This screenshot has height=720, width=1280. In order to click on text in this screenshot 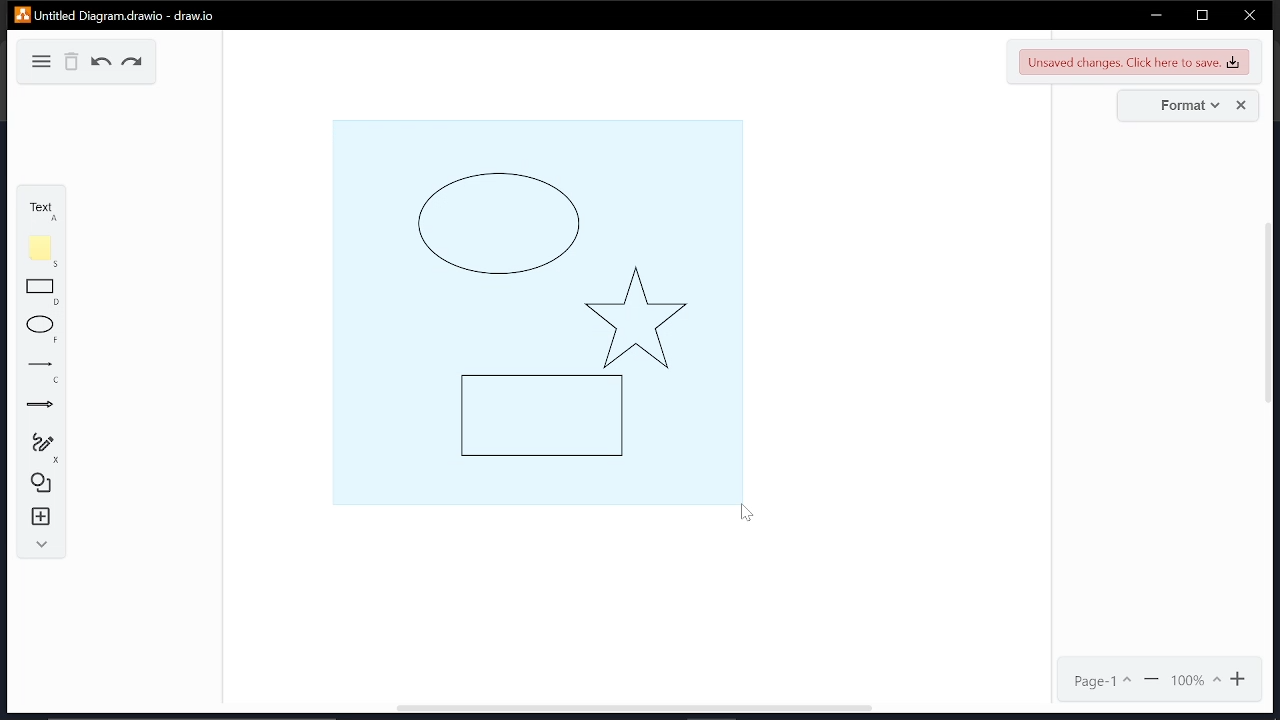, I will do `click(38, 209)`.